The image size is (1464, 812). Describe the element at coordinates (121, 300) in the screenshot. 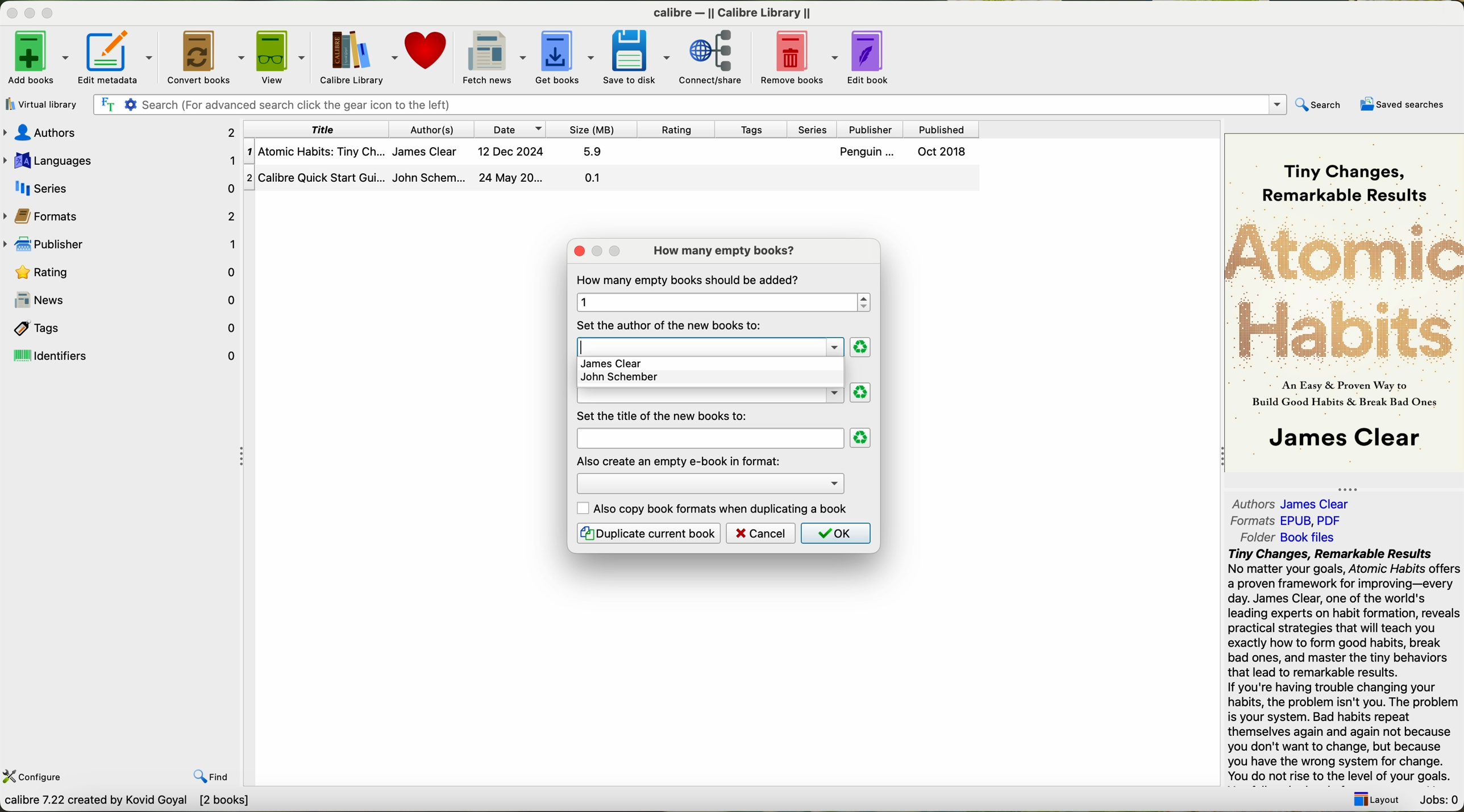

I see `news` at that location.